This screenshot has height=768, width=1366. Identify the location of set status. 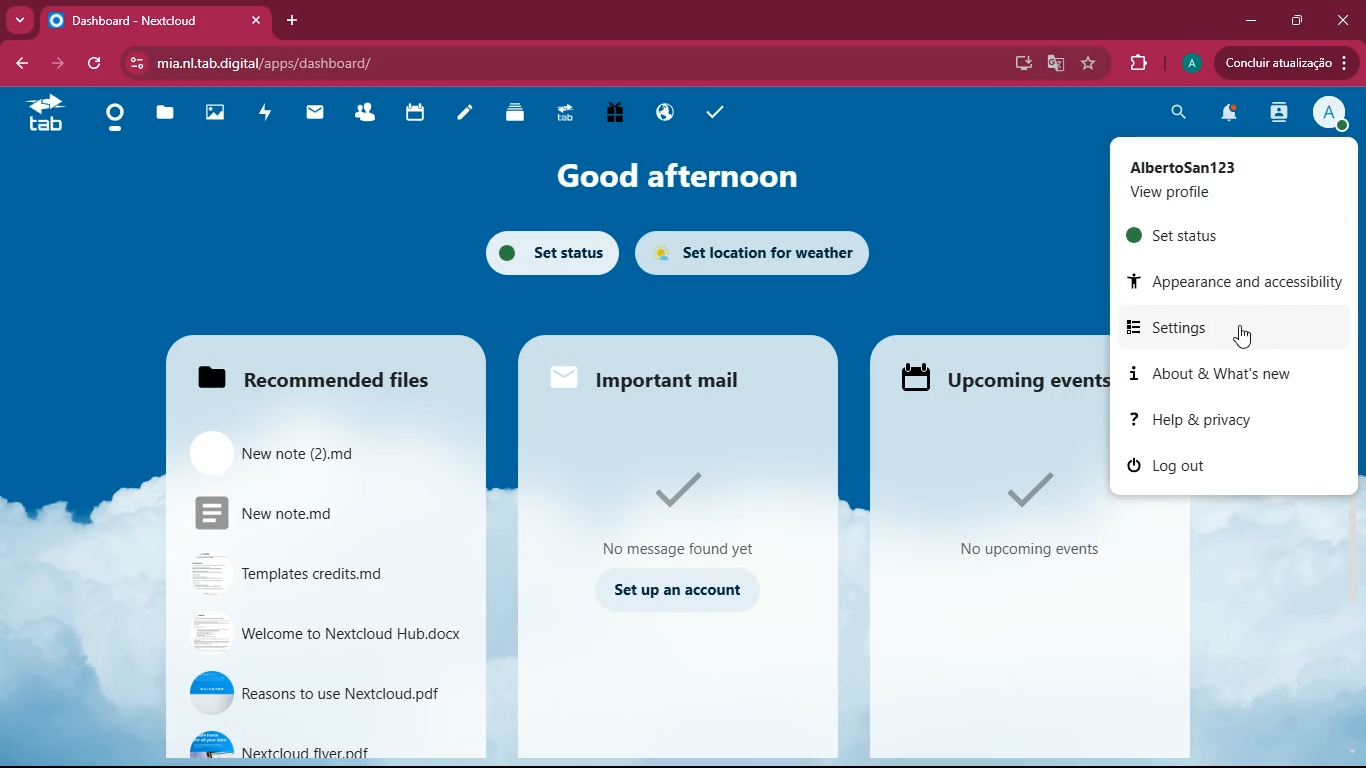
(543, 256).